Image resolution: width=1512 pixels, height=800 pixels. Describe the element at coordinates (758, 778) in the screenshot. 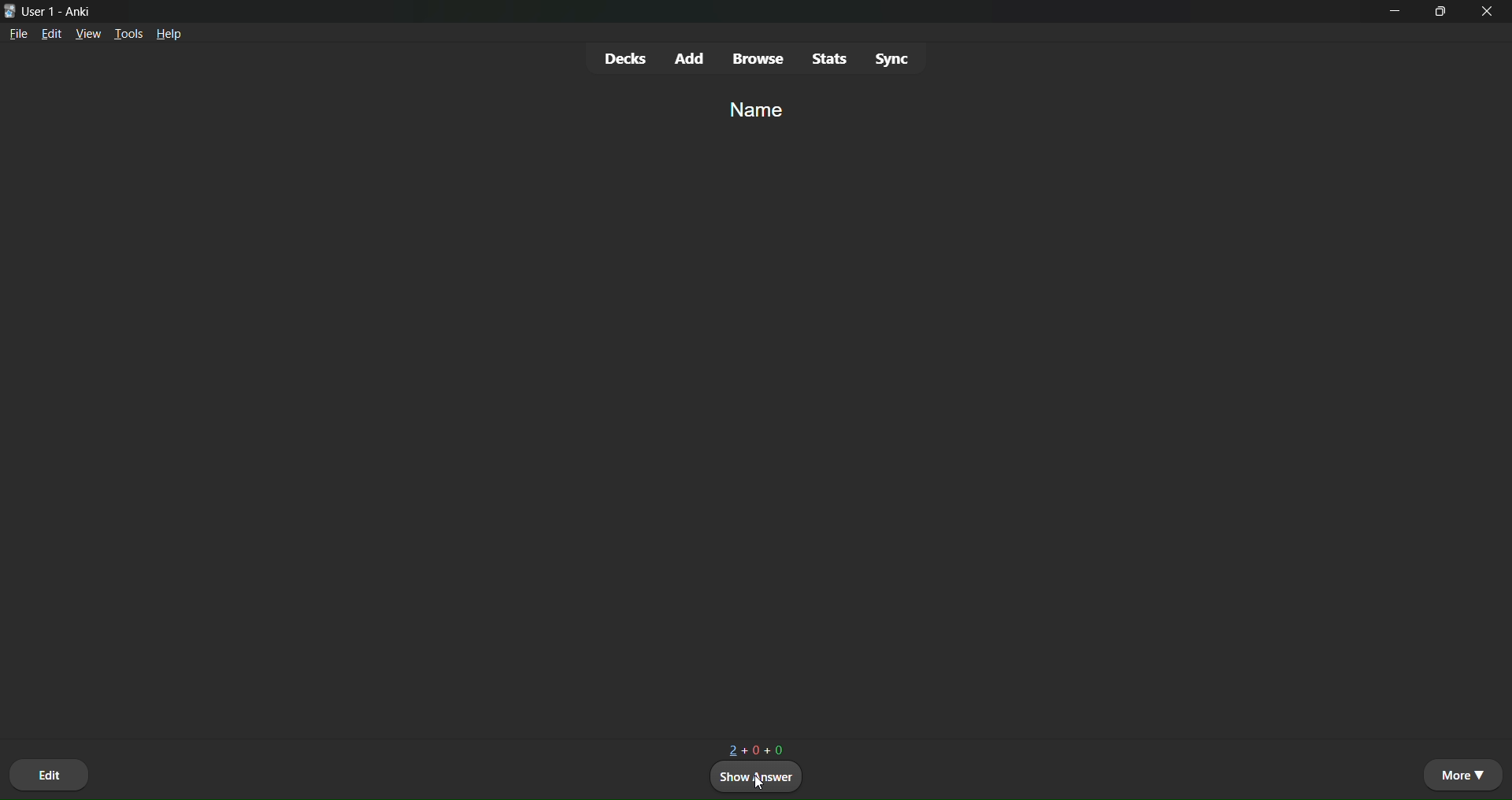

I see `show answer` at that location.